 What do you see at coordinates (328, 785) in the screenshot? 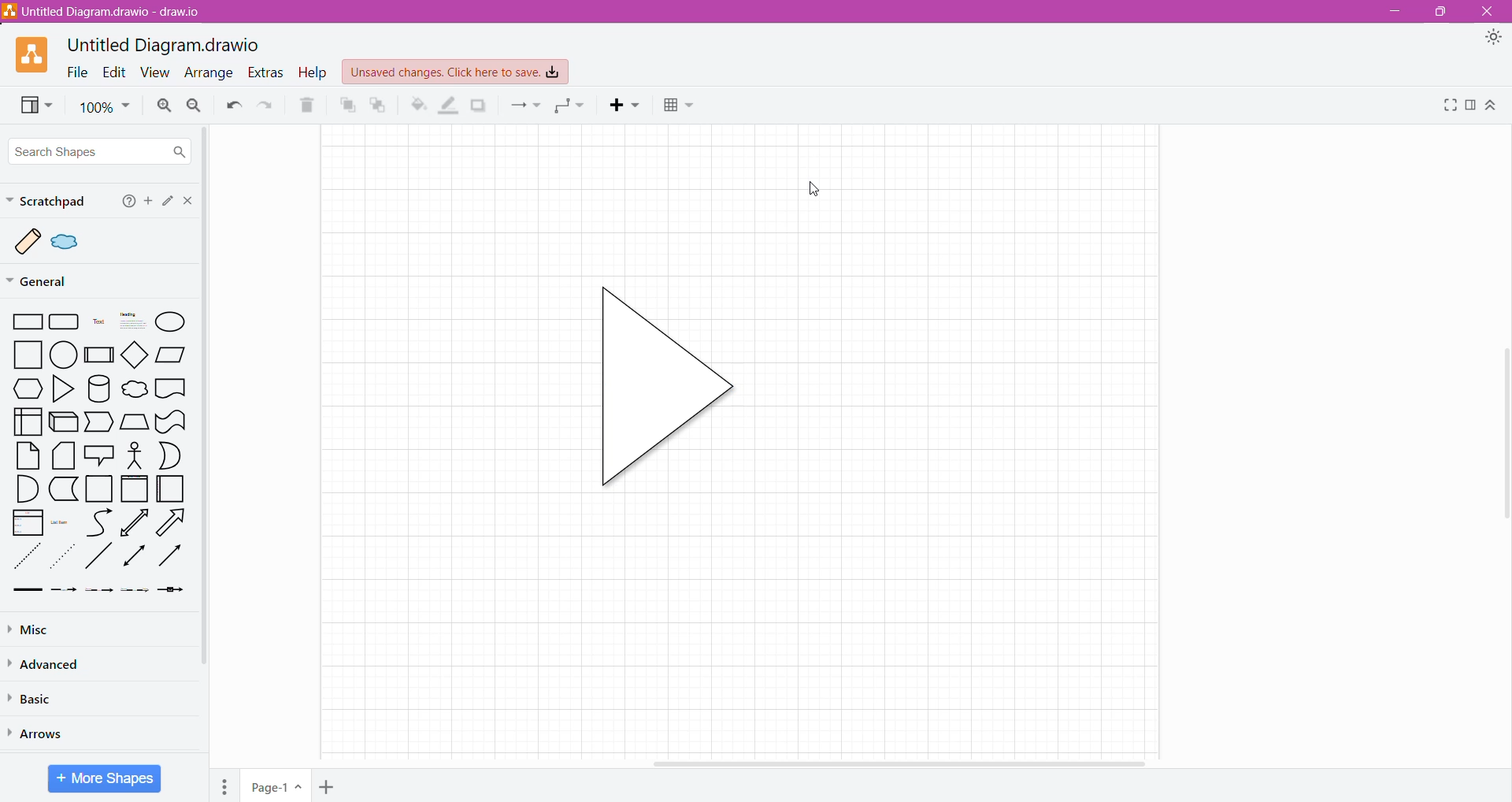
I see `Add Page` at bounding box center [328, 785].